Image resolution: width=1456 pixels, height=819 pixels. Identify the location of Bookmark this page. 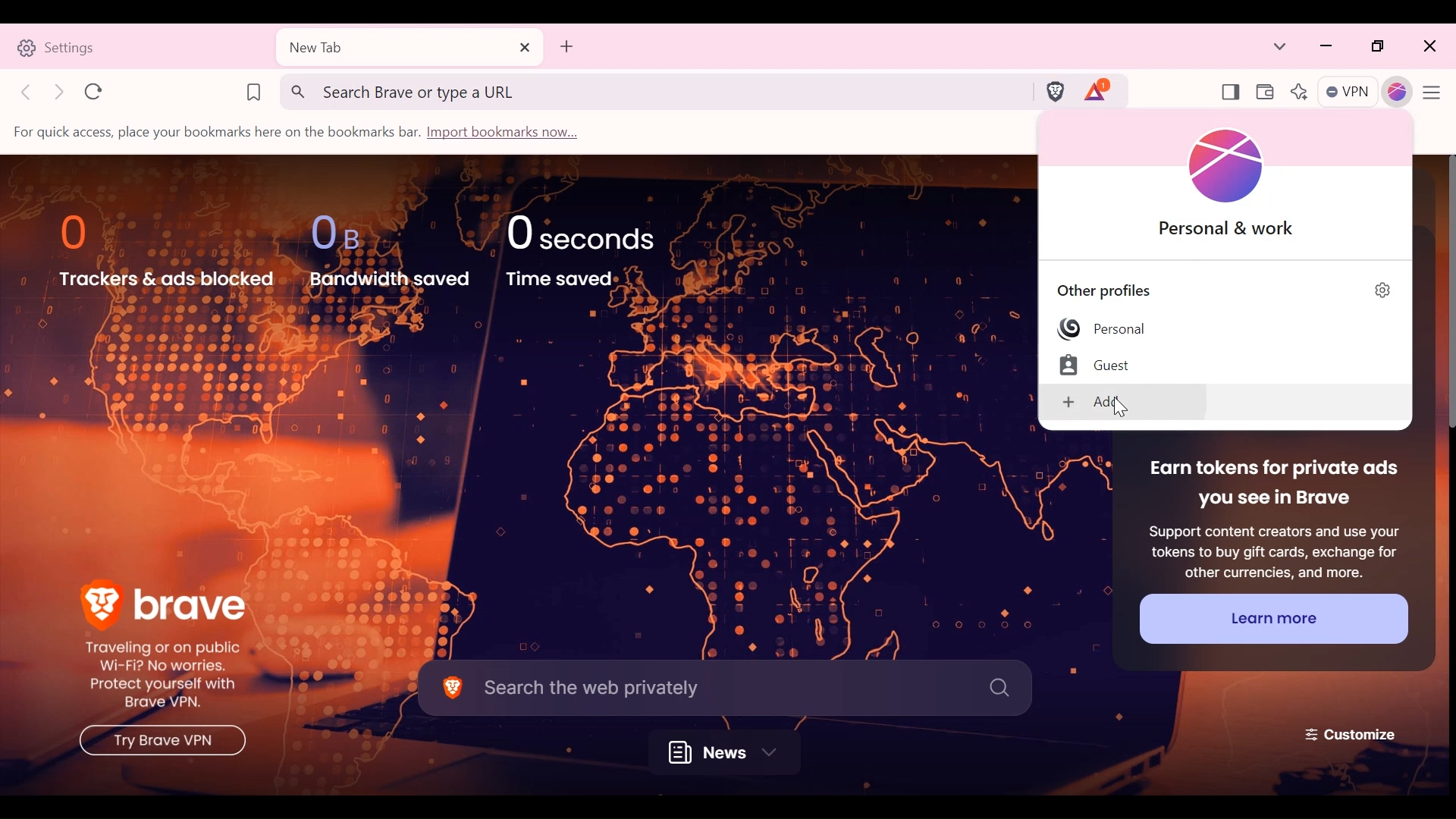
(253, 90).